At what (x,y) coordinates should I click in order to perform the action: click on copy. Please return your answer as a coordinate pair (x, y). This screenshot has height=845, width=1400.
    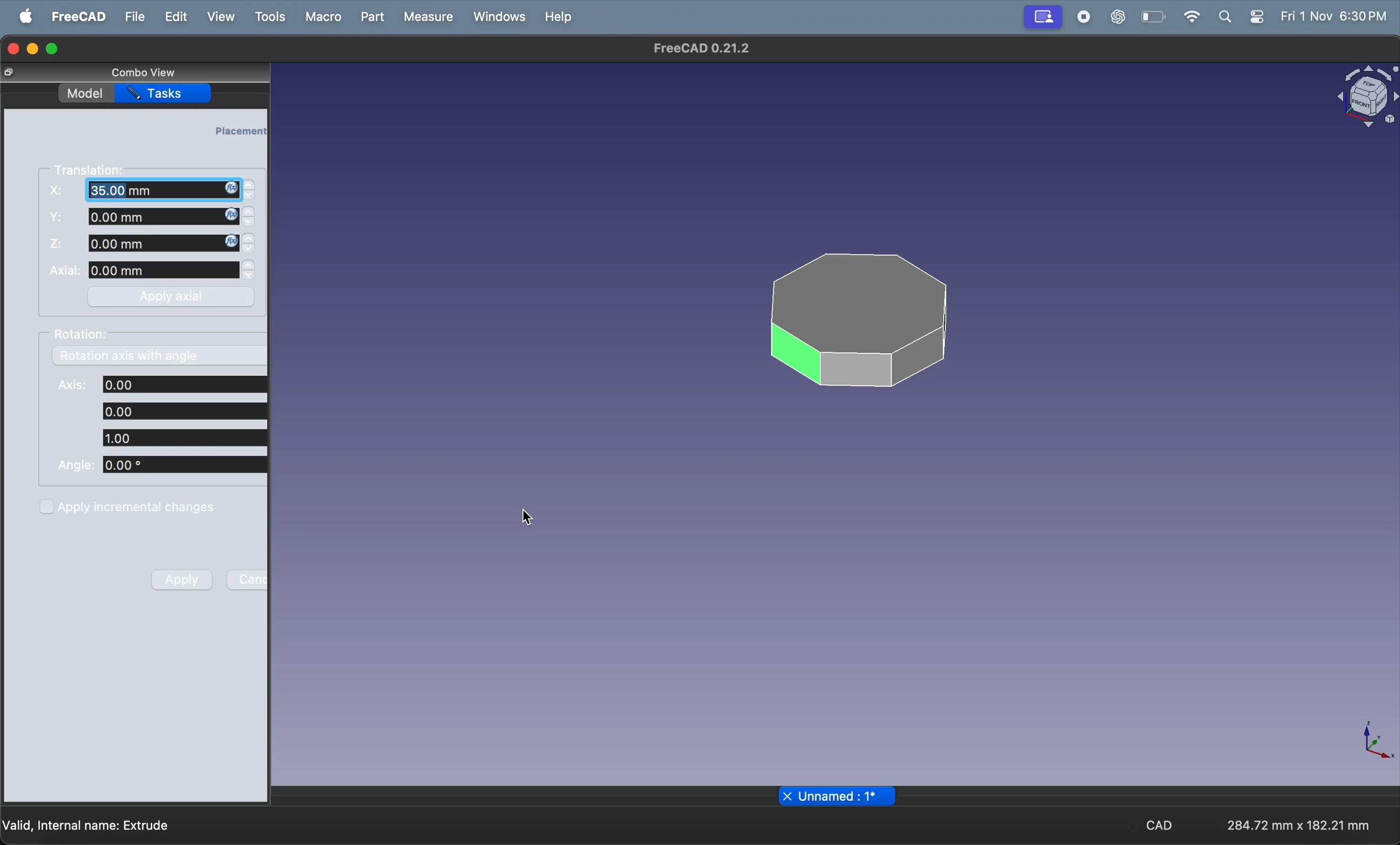
    Looking at the image, I should click on (10, 73).